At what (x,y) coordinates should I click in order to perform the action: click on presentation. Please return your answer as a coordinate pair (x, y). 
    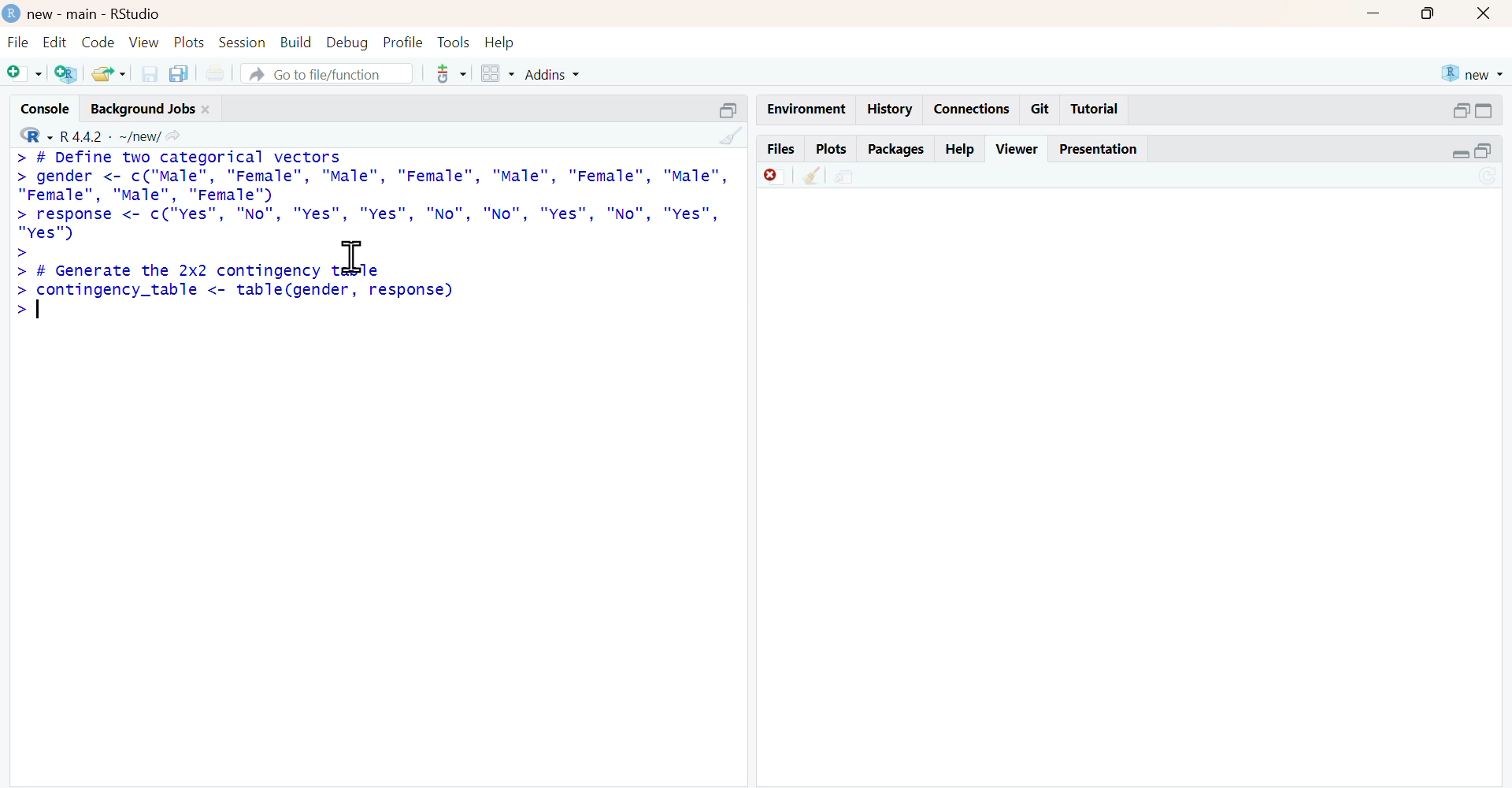
    Looking at the image, I should click on (1102, 151).